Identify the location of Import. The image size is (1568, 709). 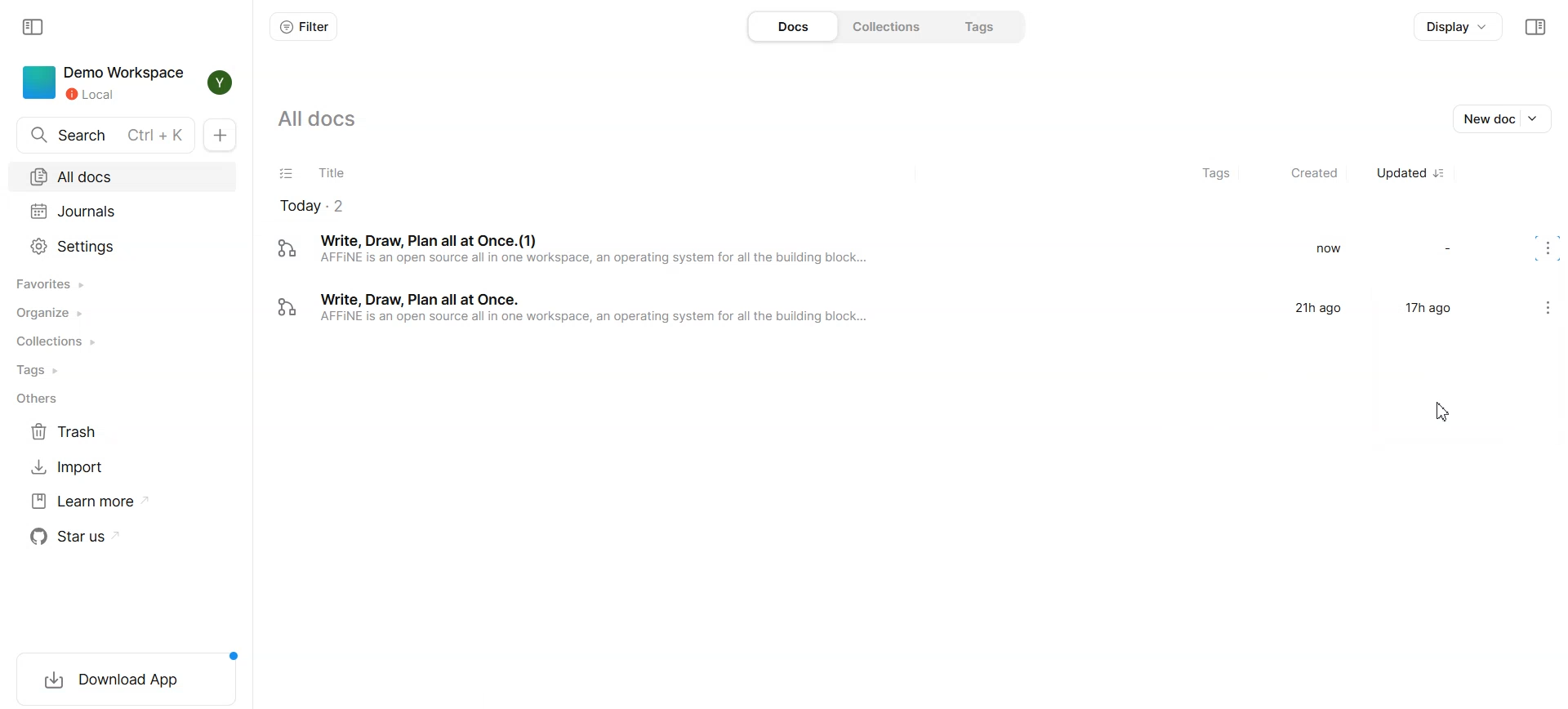
(124, 468).